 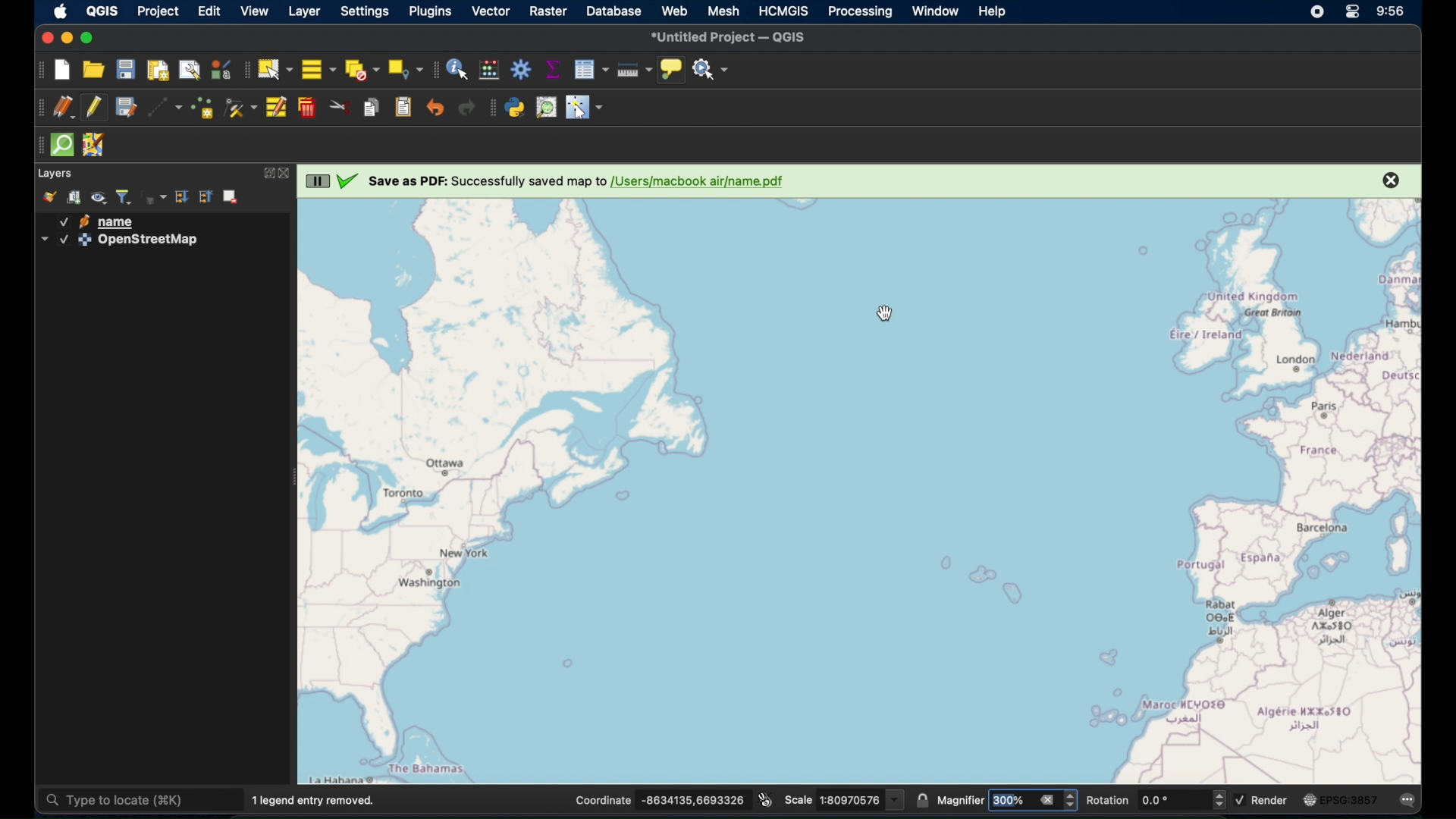 I want to click on expand all, so click(x=184, y=196).